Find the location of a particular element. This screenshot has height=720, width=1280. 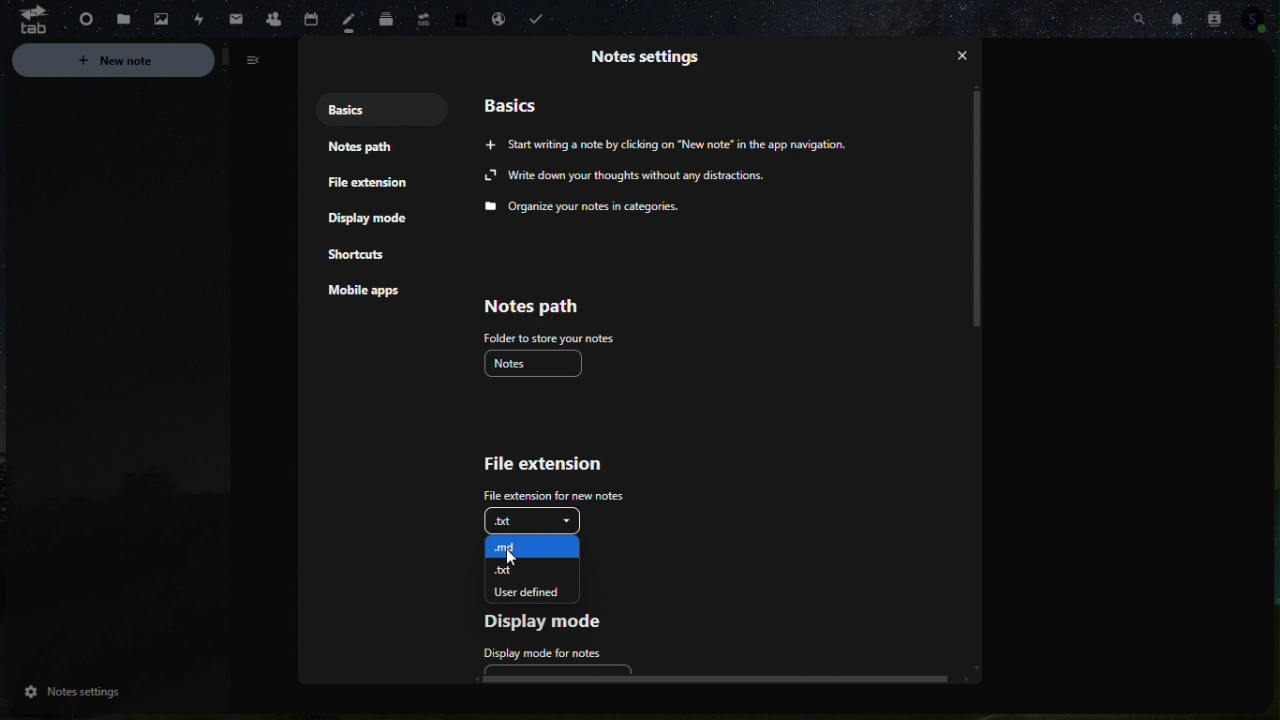

Photo is located at coordinates (155, 20).